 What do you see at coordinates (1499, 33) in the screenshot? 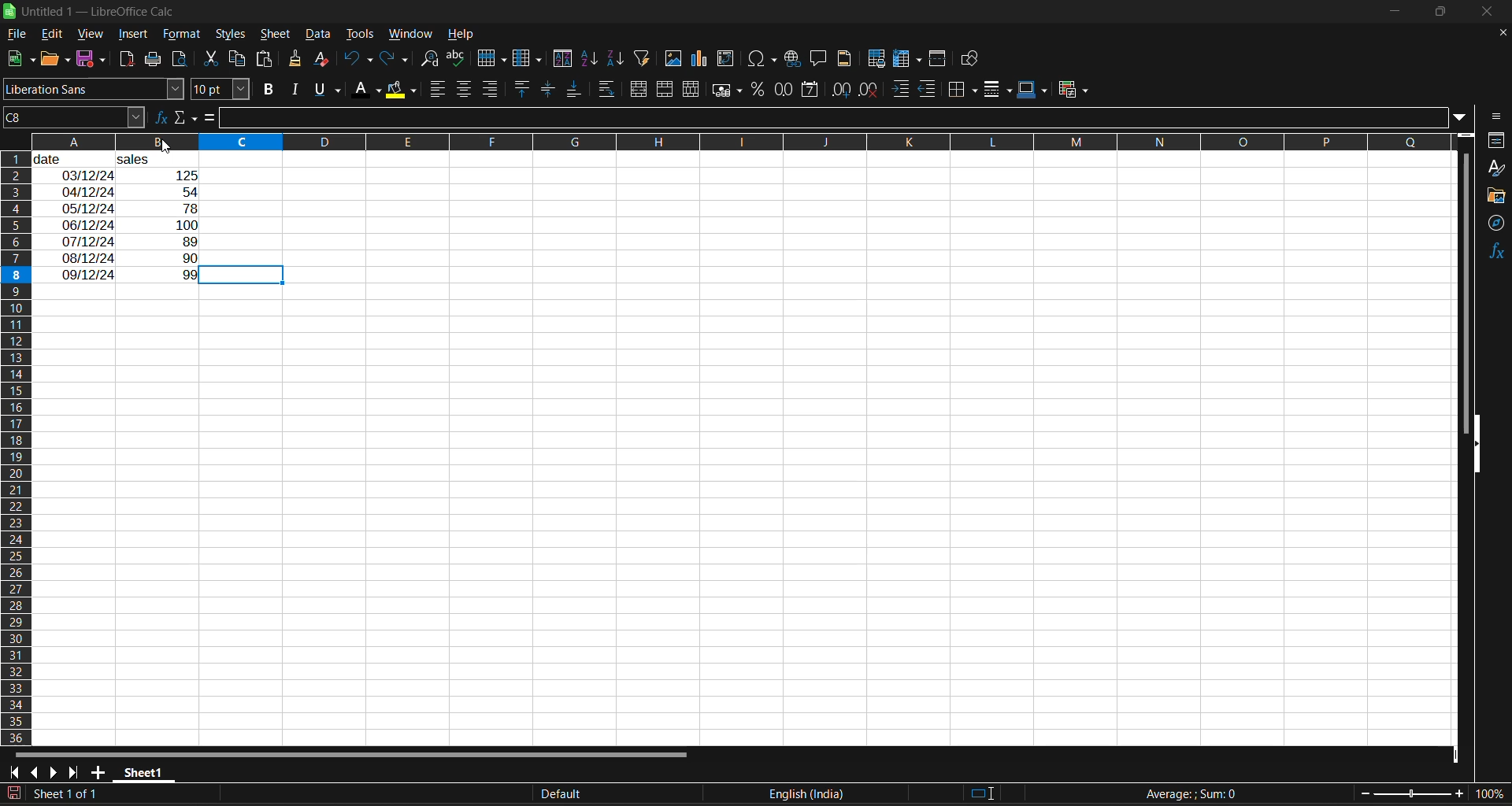
I see `close document` at bounding box center [1499, 33].